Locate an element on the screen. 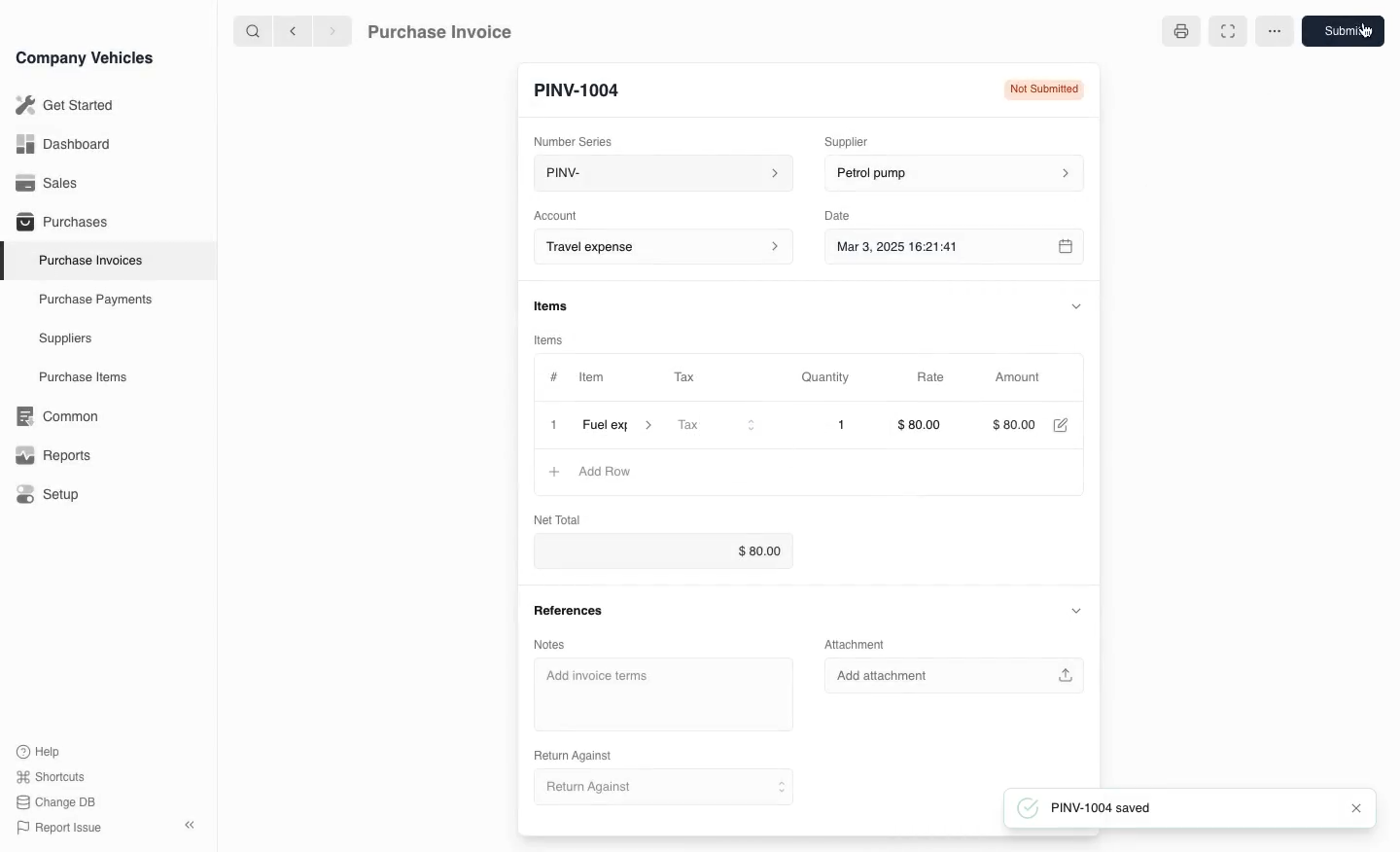 Image resolution: width=1400 pixels, height=852 pixels. Add invoice terms is located at coordinates (664, 695).